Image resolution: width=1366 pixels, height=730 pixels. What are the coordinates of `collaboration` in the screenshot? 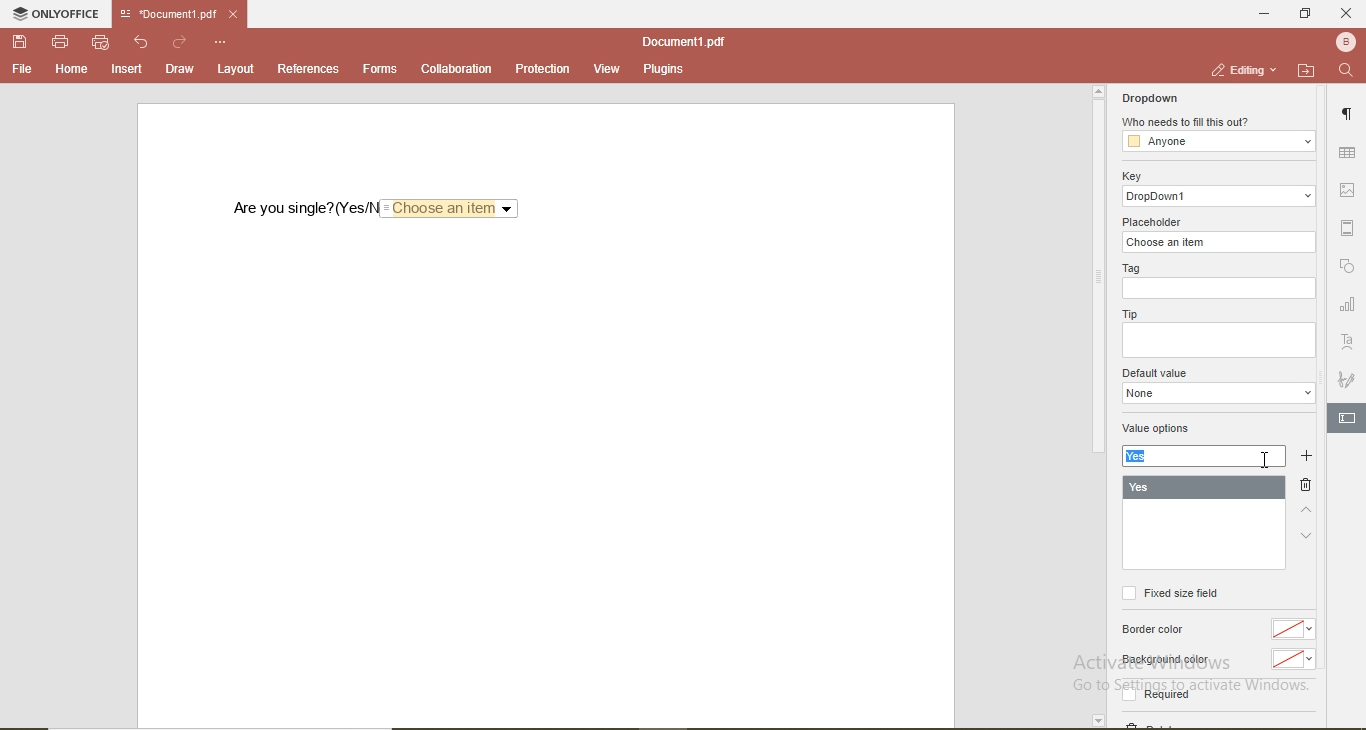 It's located at (456, 69).